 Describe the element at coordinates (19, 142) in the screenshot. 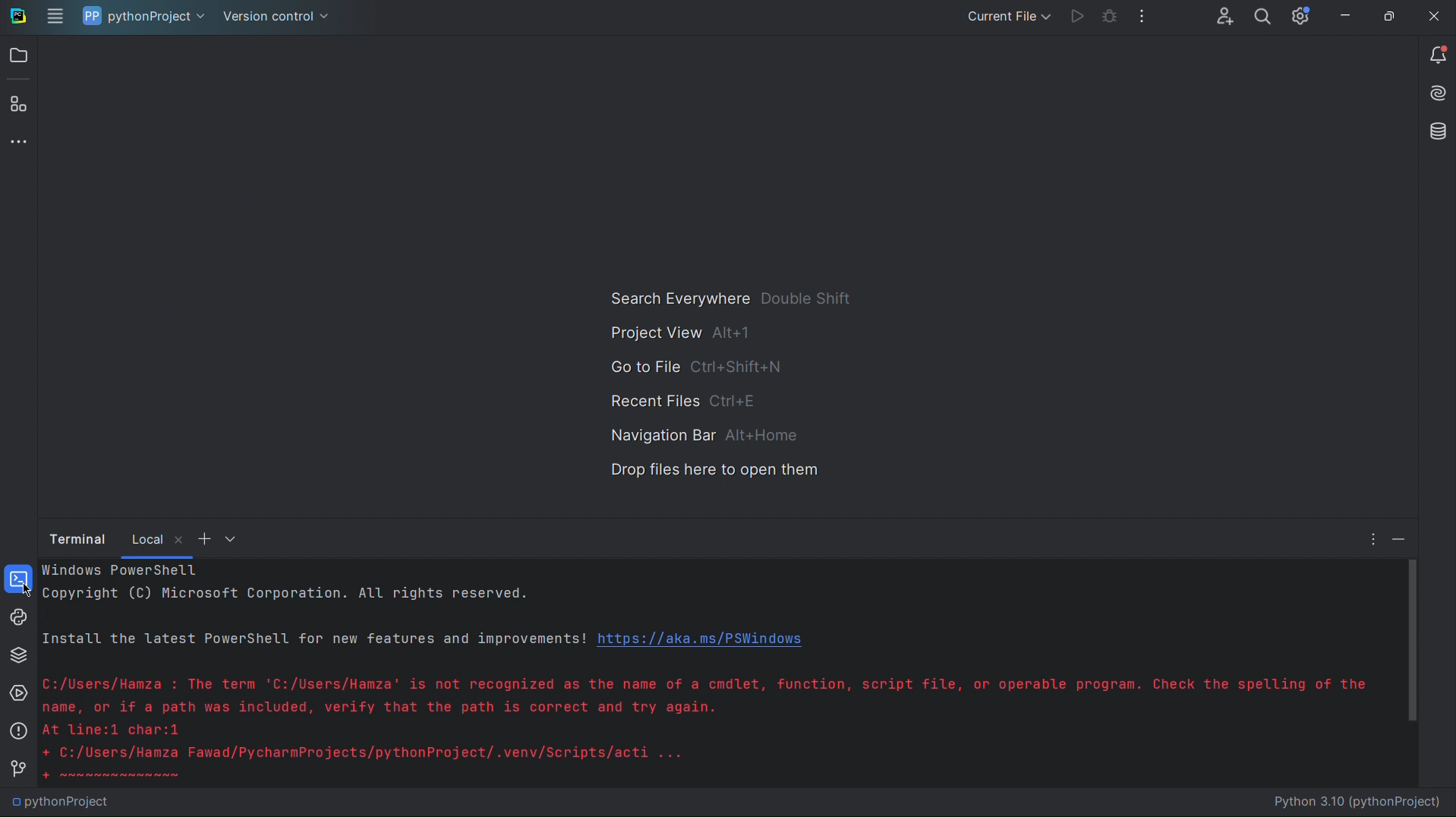

I see `More` at that location.